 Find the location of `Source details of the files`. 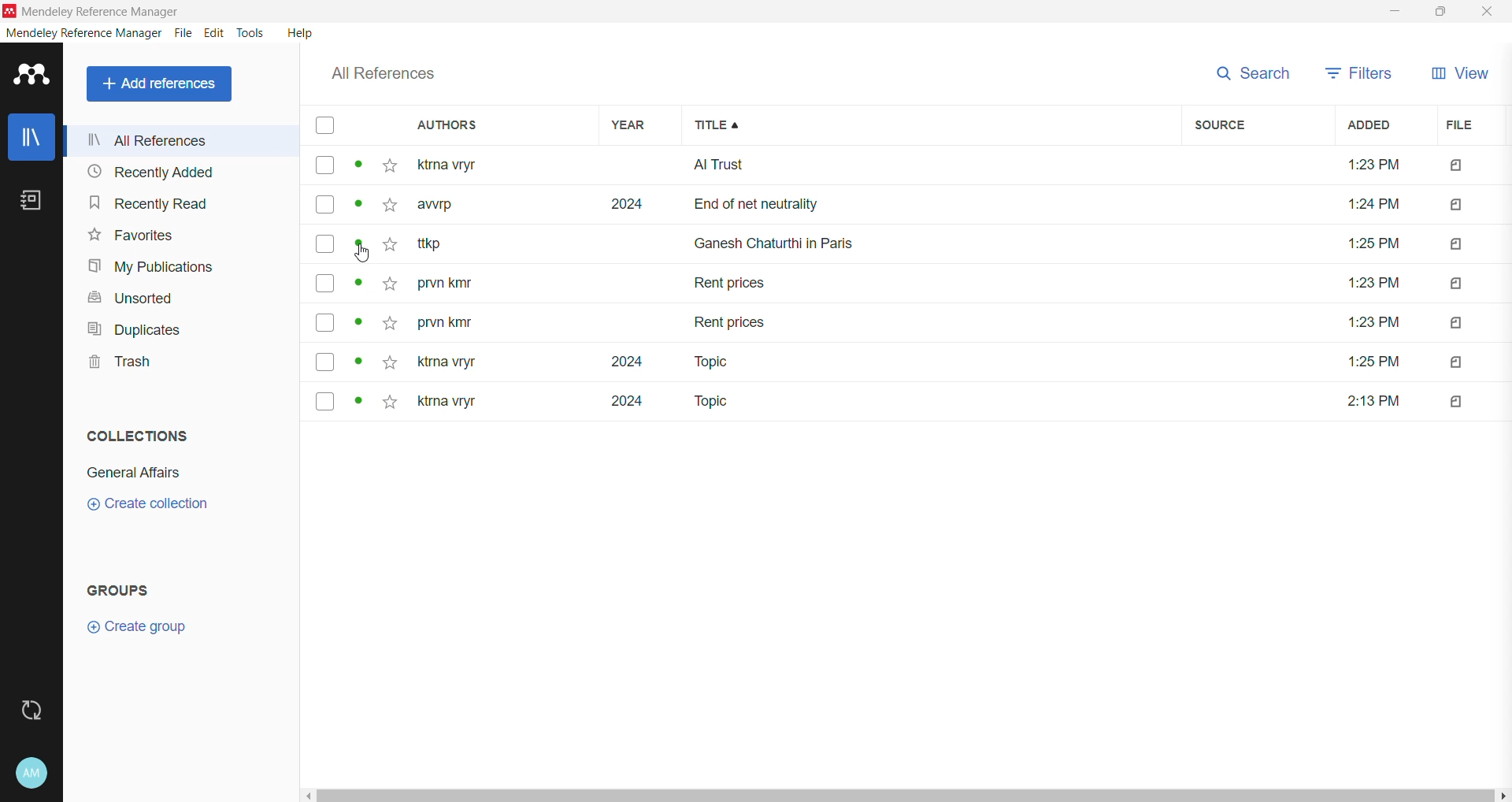

Source details of the files is located at coordinates (1262, 284).